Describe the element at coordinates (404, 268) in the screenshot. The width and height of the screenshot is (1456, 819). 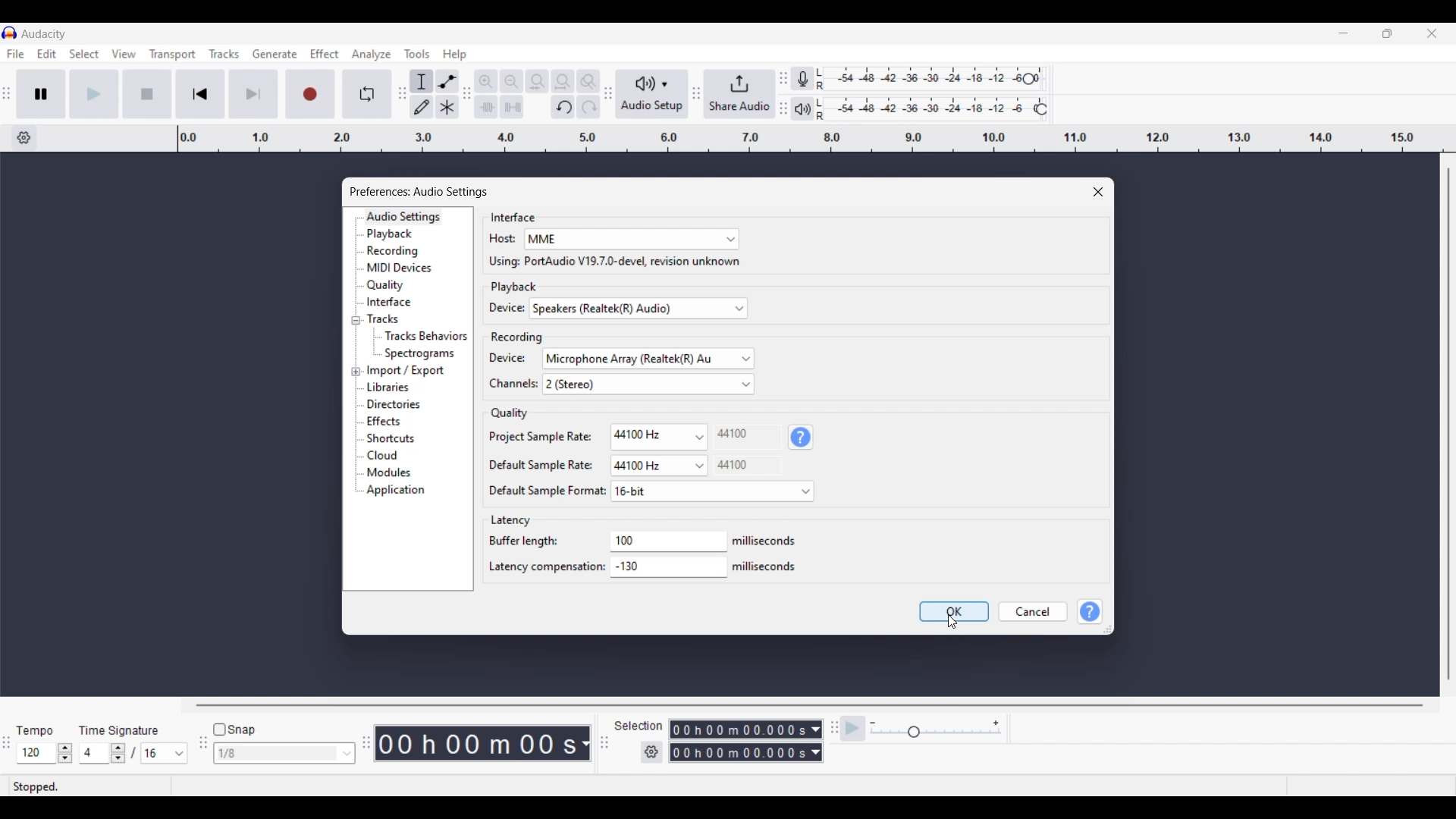
I see `MIDI devices` at that location.